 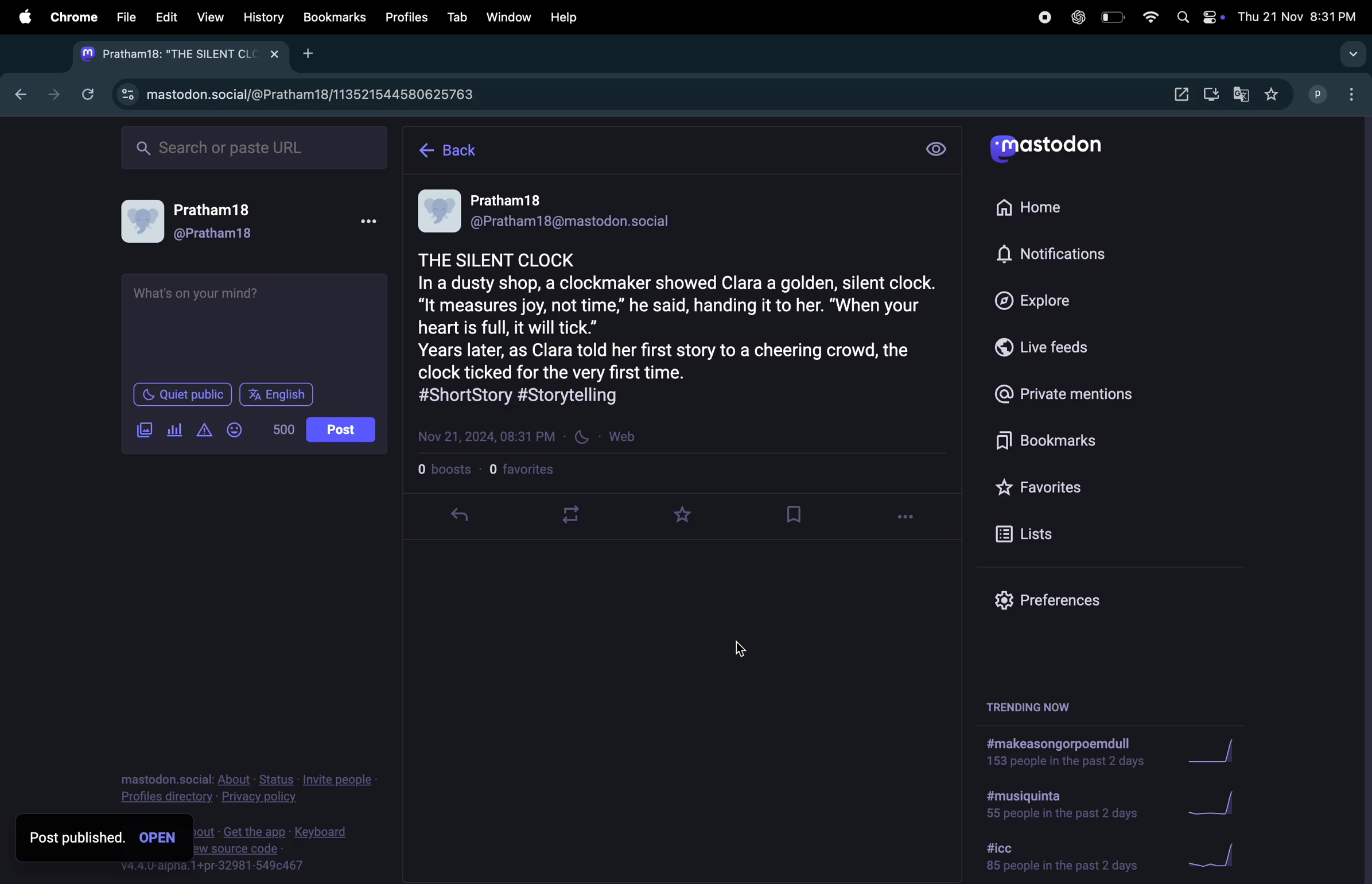 What do you see at coordinates (490, 435) in the screenshot?
I see `date and time` at bounding box center [490, 435].